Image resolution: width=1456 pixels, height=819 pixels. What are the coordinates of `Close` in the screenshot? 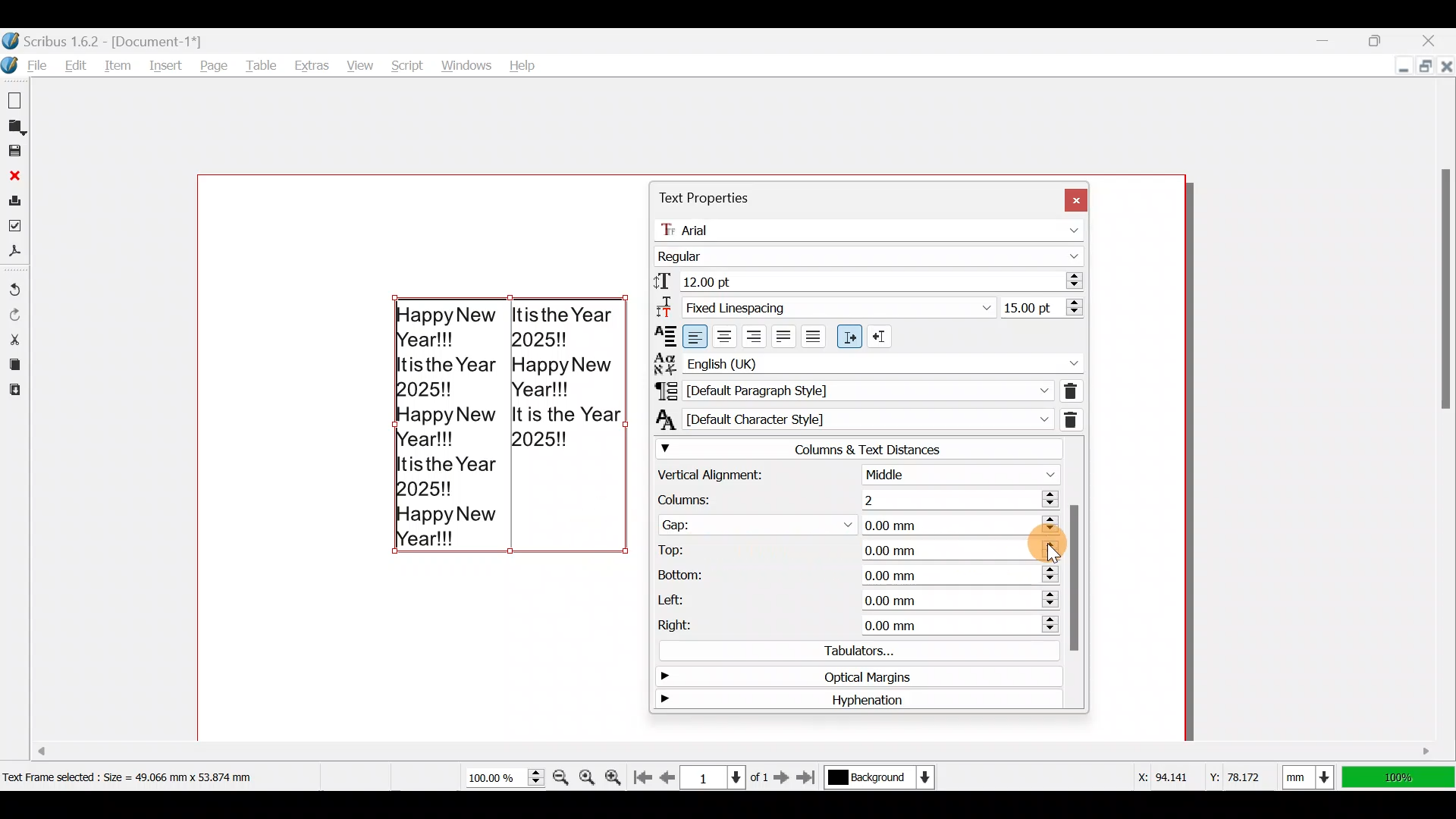 It's located at (1445, 65).